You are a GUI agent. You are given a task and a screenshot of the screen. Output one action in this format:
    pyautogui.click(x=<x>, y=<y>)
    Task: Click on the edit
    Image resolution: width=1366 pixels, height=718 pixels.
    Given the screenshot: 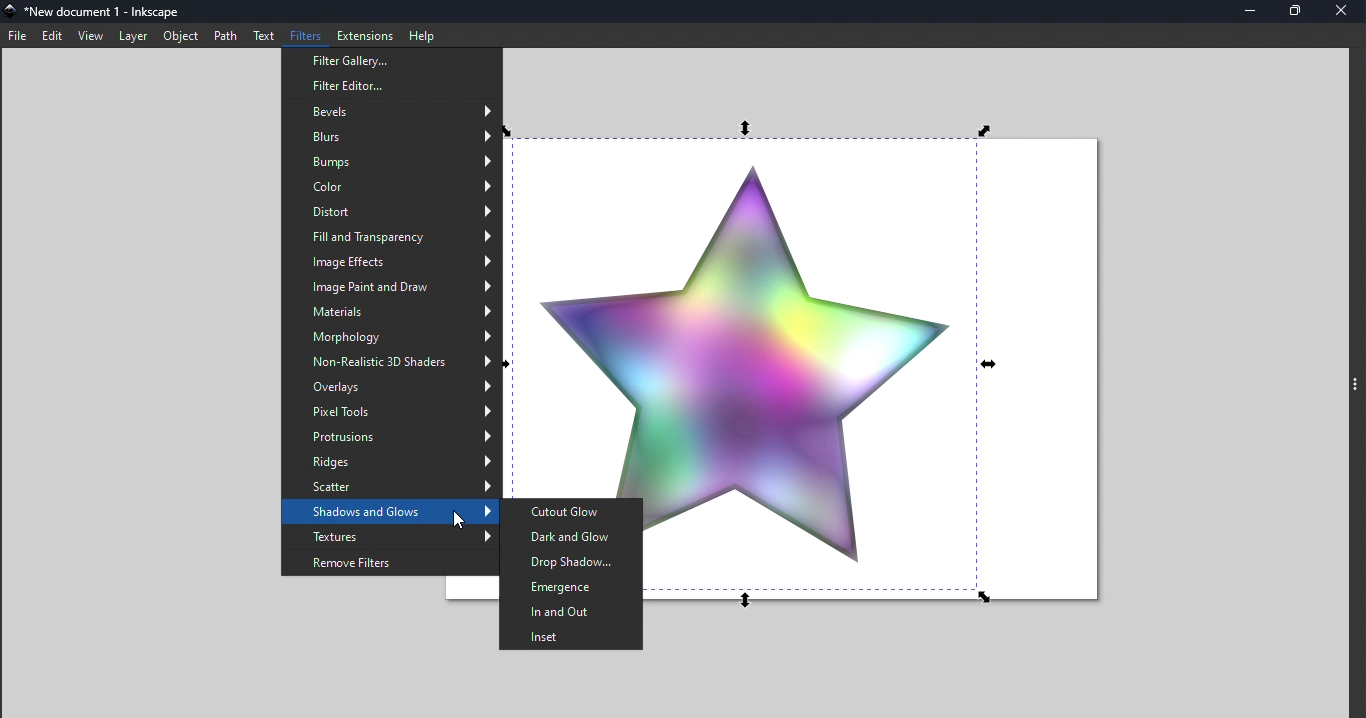 What is the action you would take?
    pyautogui.click(x=52, y=36)
    